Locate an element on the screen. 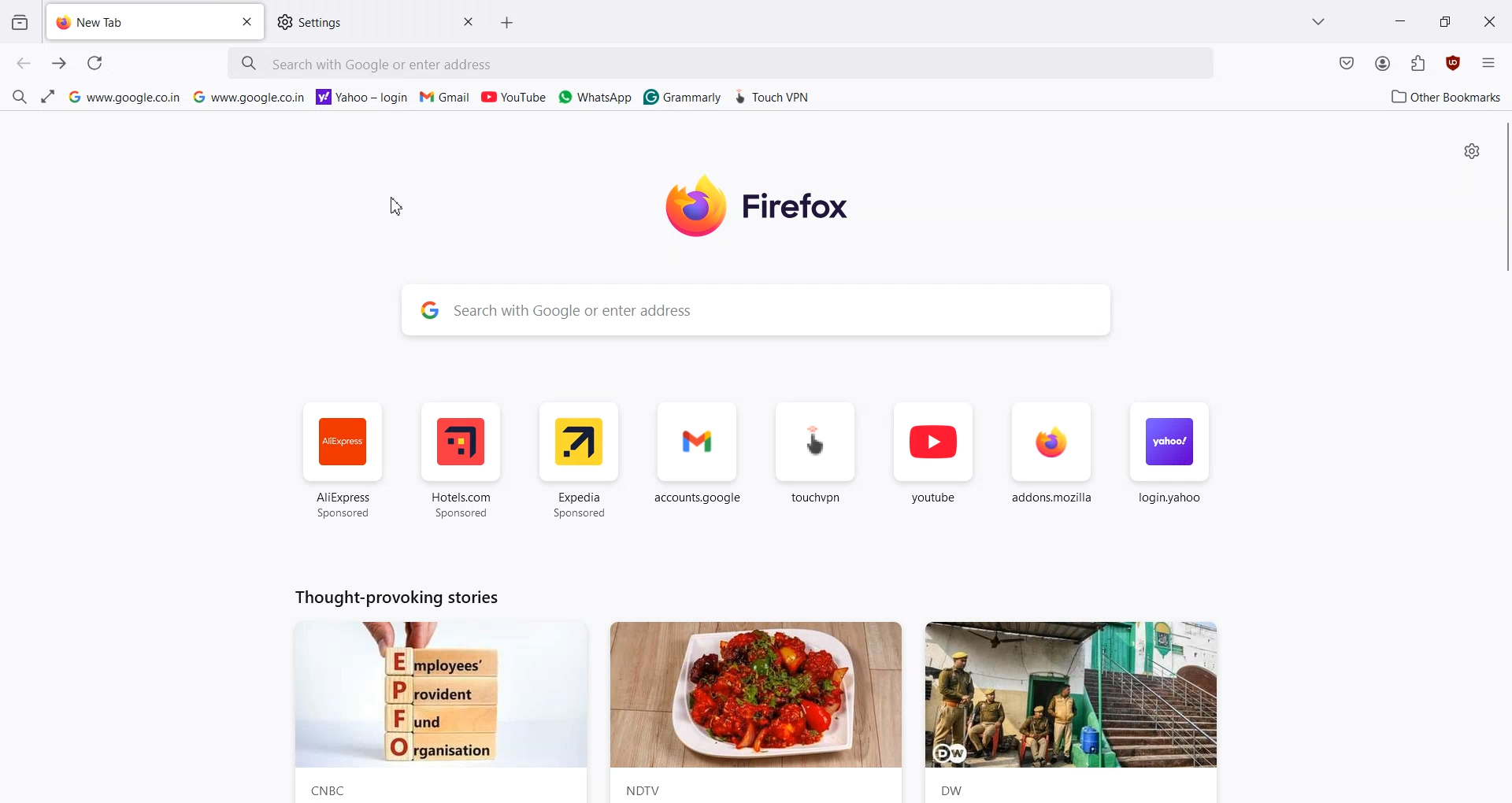 The width and height of the screenshot is (1512, 803). News is located at coordinates (756, 712).